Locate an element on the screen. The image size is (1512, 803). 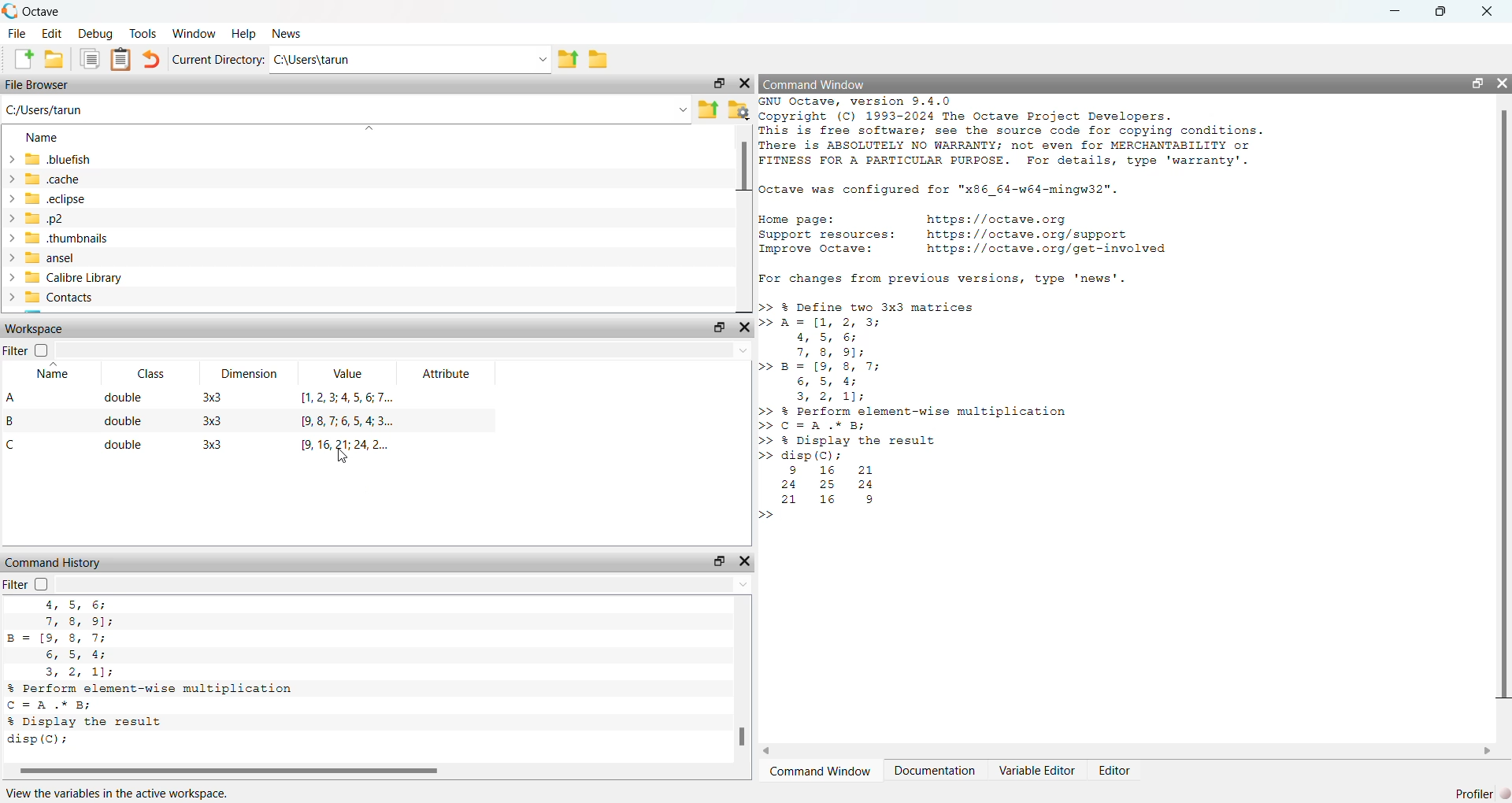
Restore Down is located at coordinates (718, 561).